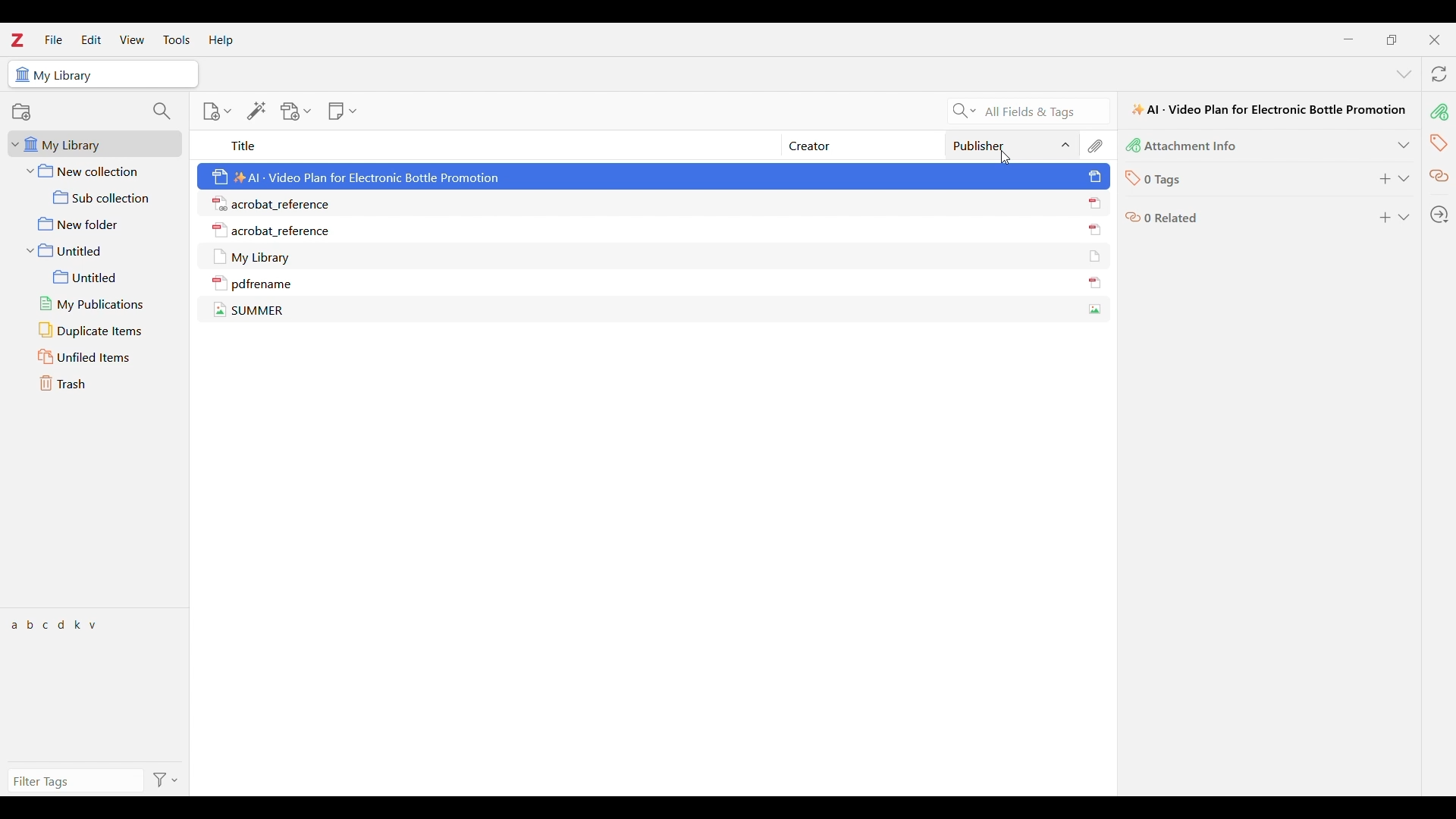 The image size is (1456, 819). I want to click on acrobat_reference, so click(275, 202).